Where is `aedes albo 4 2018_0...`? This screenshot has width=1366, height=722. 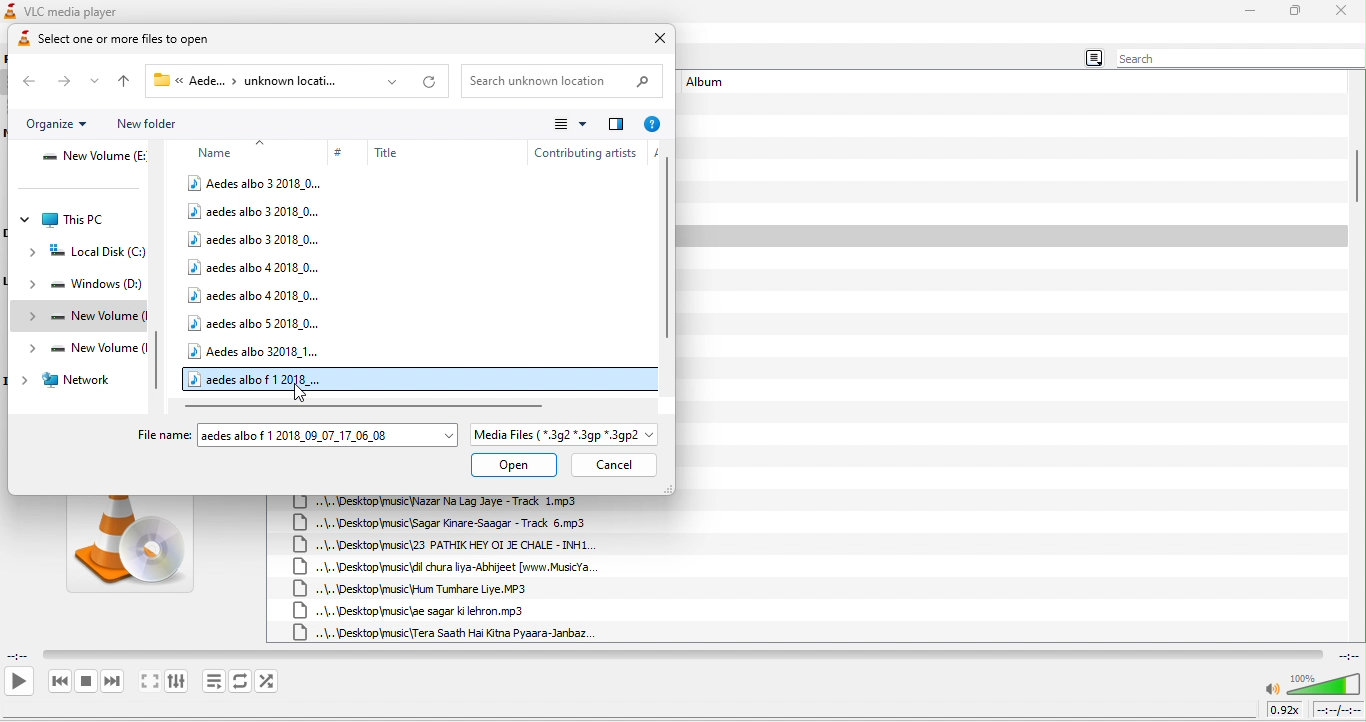
aedes albo 4 2018_0... is located at coordinates (254, 293).